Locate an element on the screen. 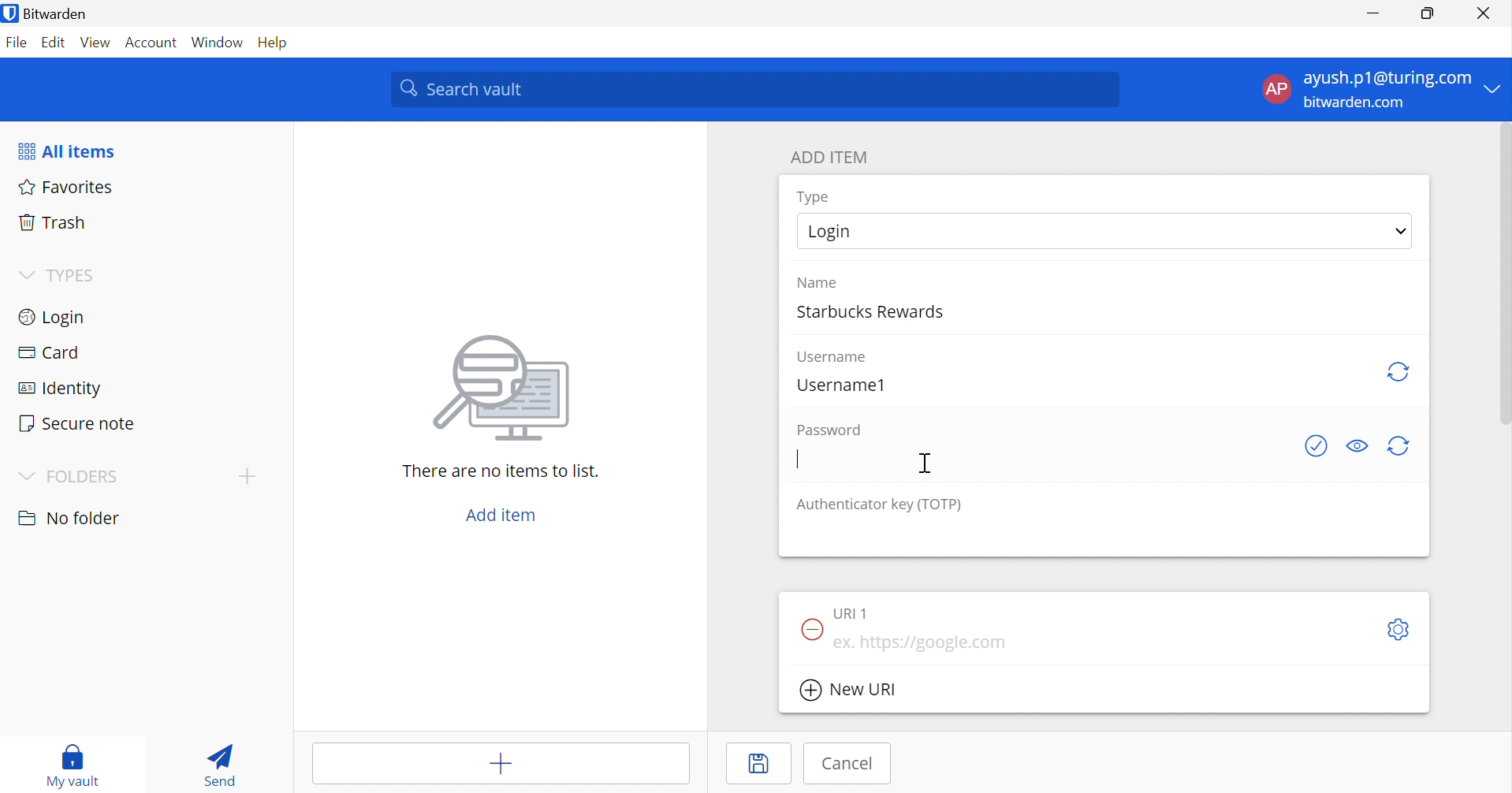 The height and width of the screenshot is (793, 1512). View is located at coordinates (95, 45).